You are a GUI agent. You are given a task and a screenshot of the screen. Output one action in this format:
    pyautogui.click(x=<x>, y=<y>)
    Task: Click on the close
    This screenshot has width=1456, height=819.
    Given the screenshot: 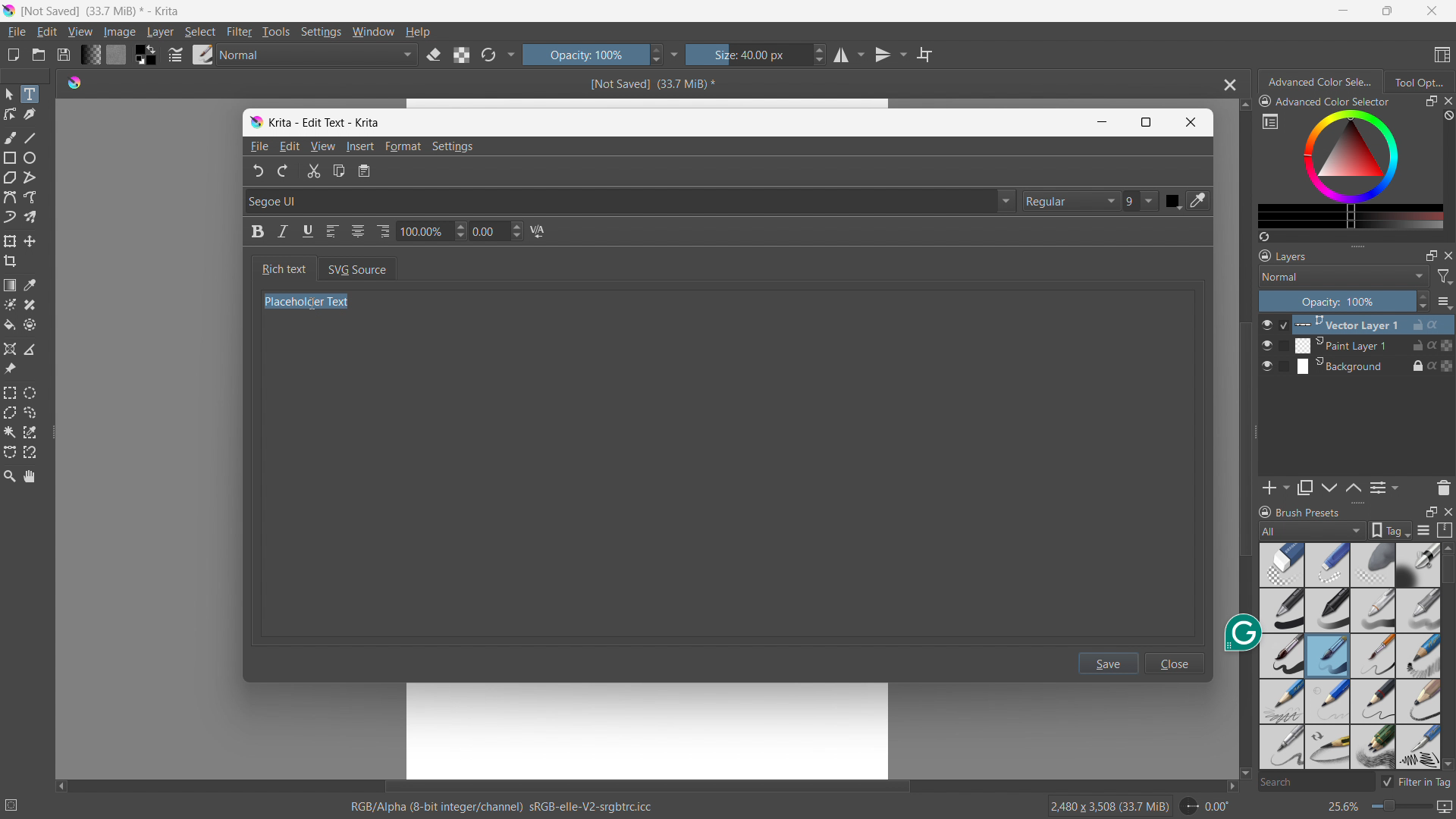 What is the action you would take?
    pyautogui.click(x=1194, y=121)
    